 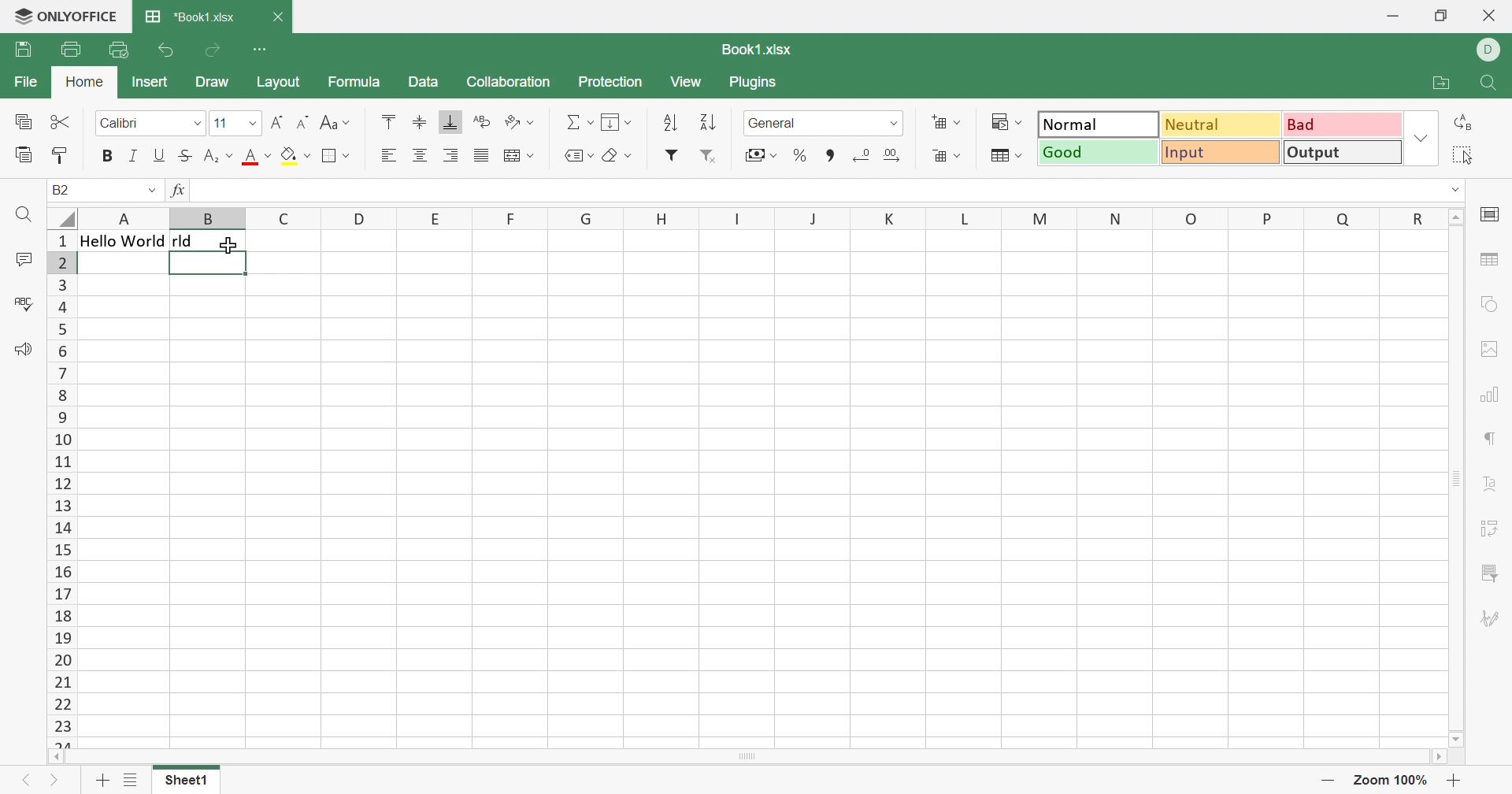 What do you see at coordinates (514, 122) in the screenshot?
I see `Orientation` at bounding box center [514, 122].